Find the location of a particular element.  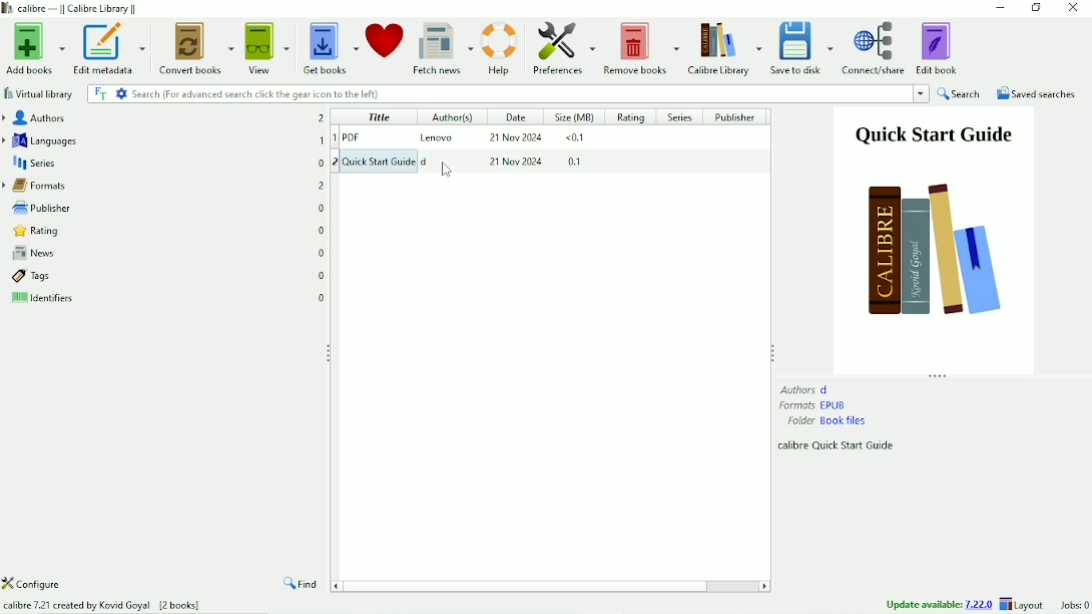

Size is located at coordinates (576, 118).